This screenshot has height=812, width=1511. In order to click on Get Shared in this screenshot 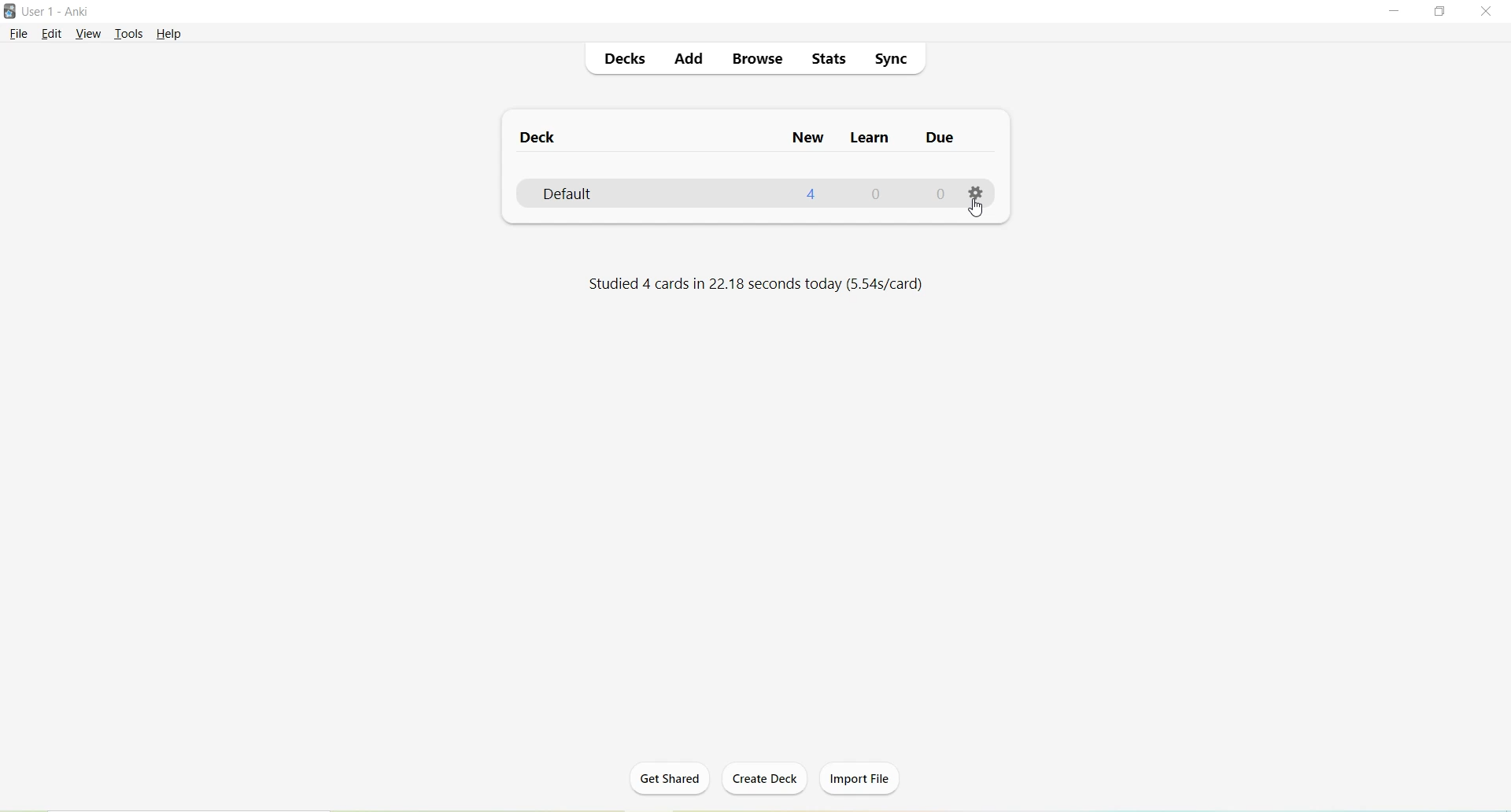, I will do `click(669, 780)`.